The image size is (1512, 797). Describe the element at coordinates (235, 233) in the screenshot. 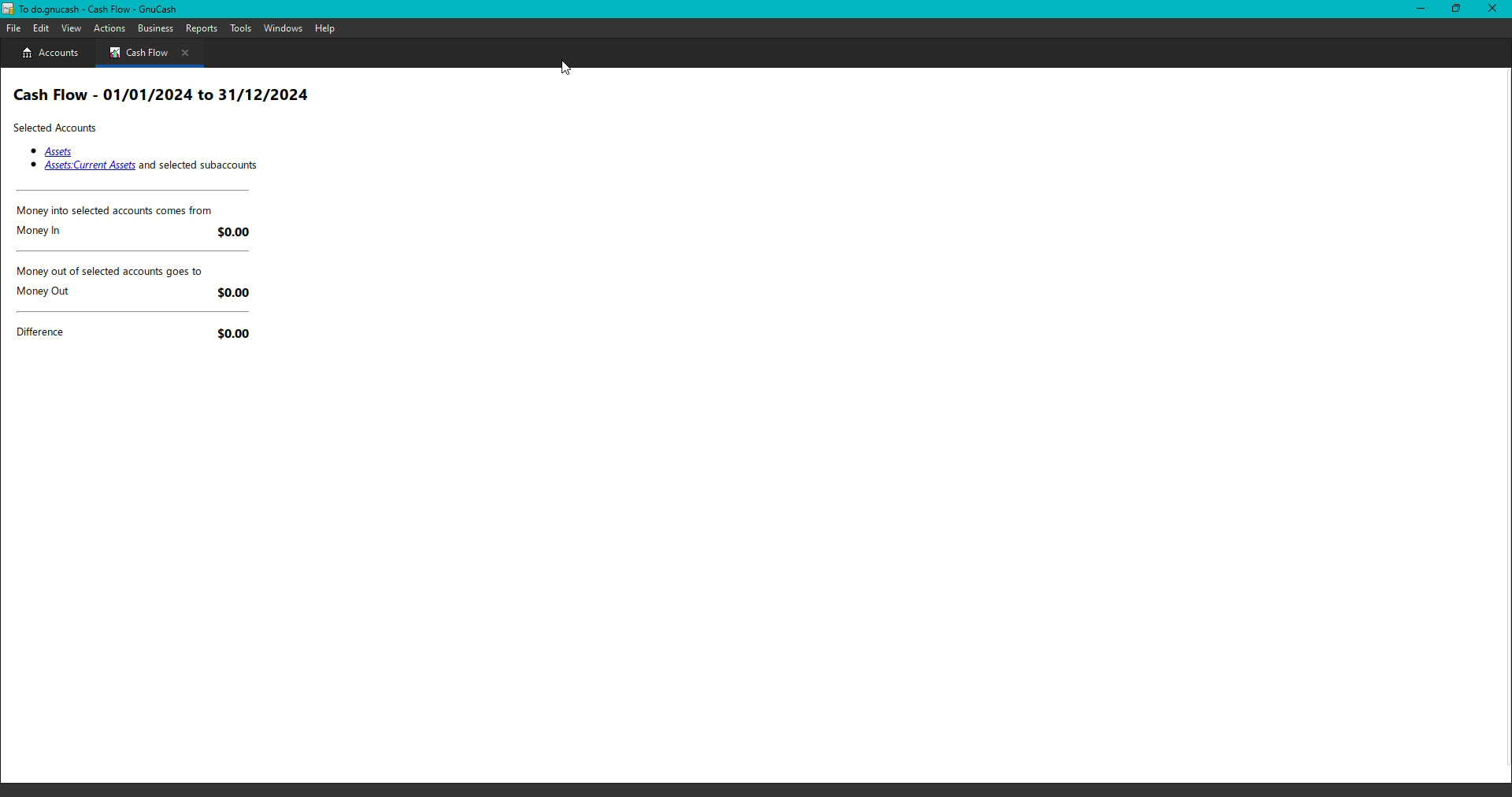

I see `$0` at that location.